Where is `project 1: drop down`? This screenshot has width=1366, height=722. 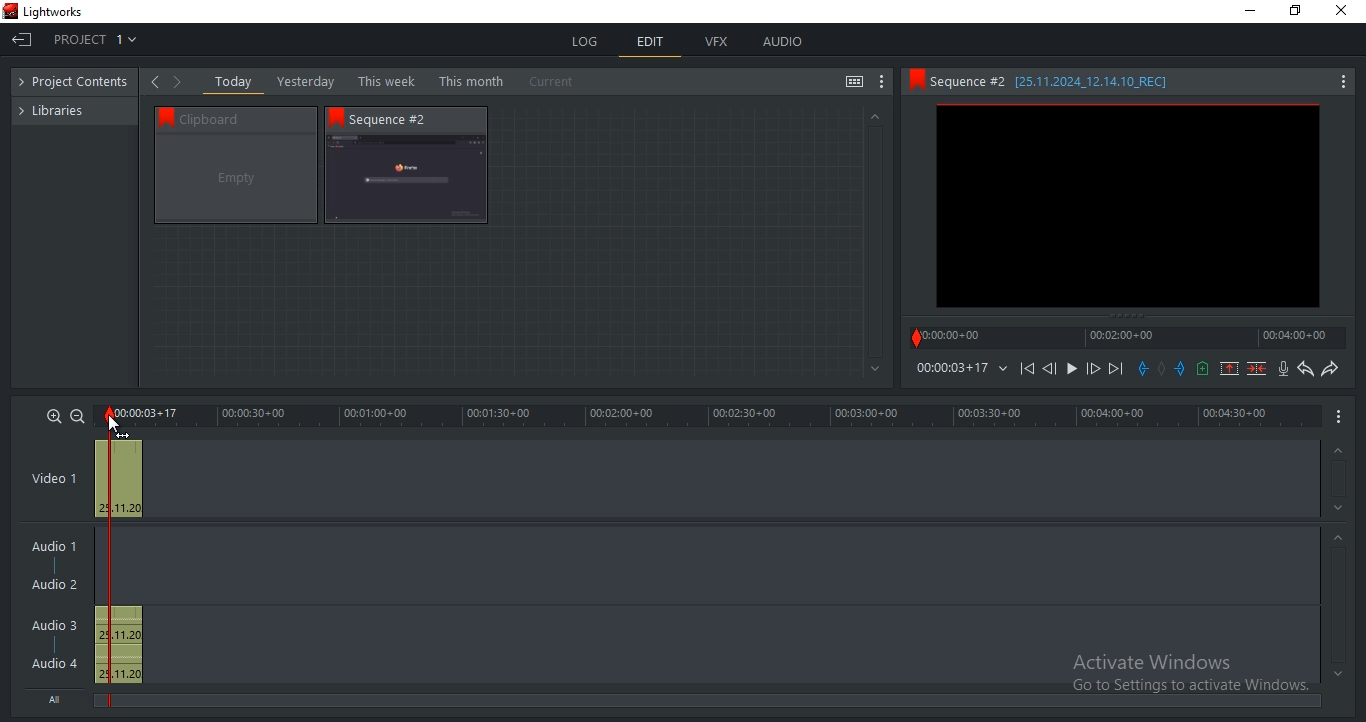
project 1: drop down is located at coordinates (89, 39).